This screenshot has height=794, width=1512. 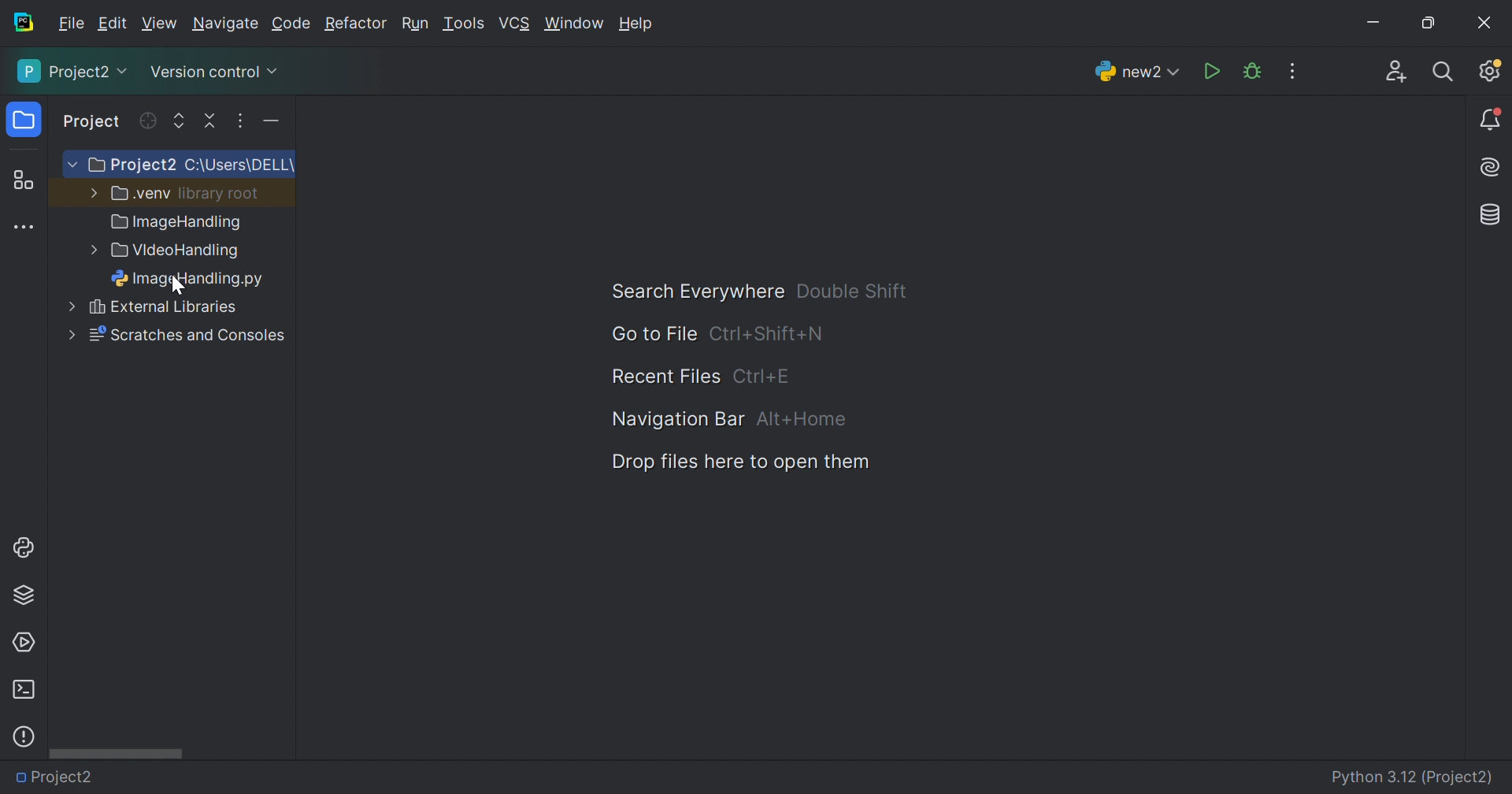 I want to click on Recent Files, so click(x=665, y=377).